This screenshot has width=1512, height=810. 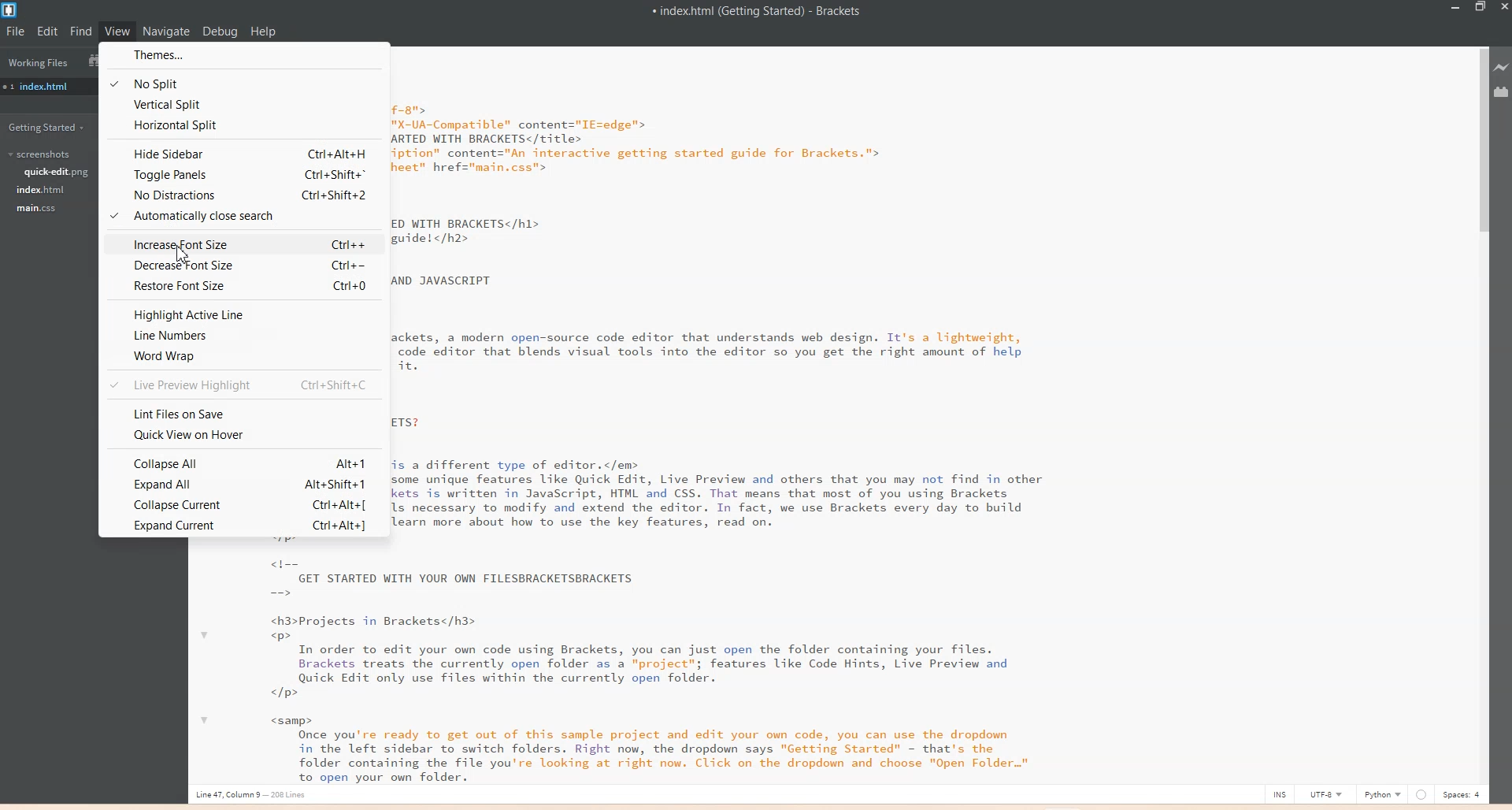 What do you see at coordinates (243, 482) in the screenshot?
I see `Expand All` at bounding box center [243, 482].